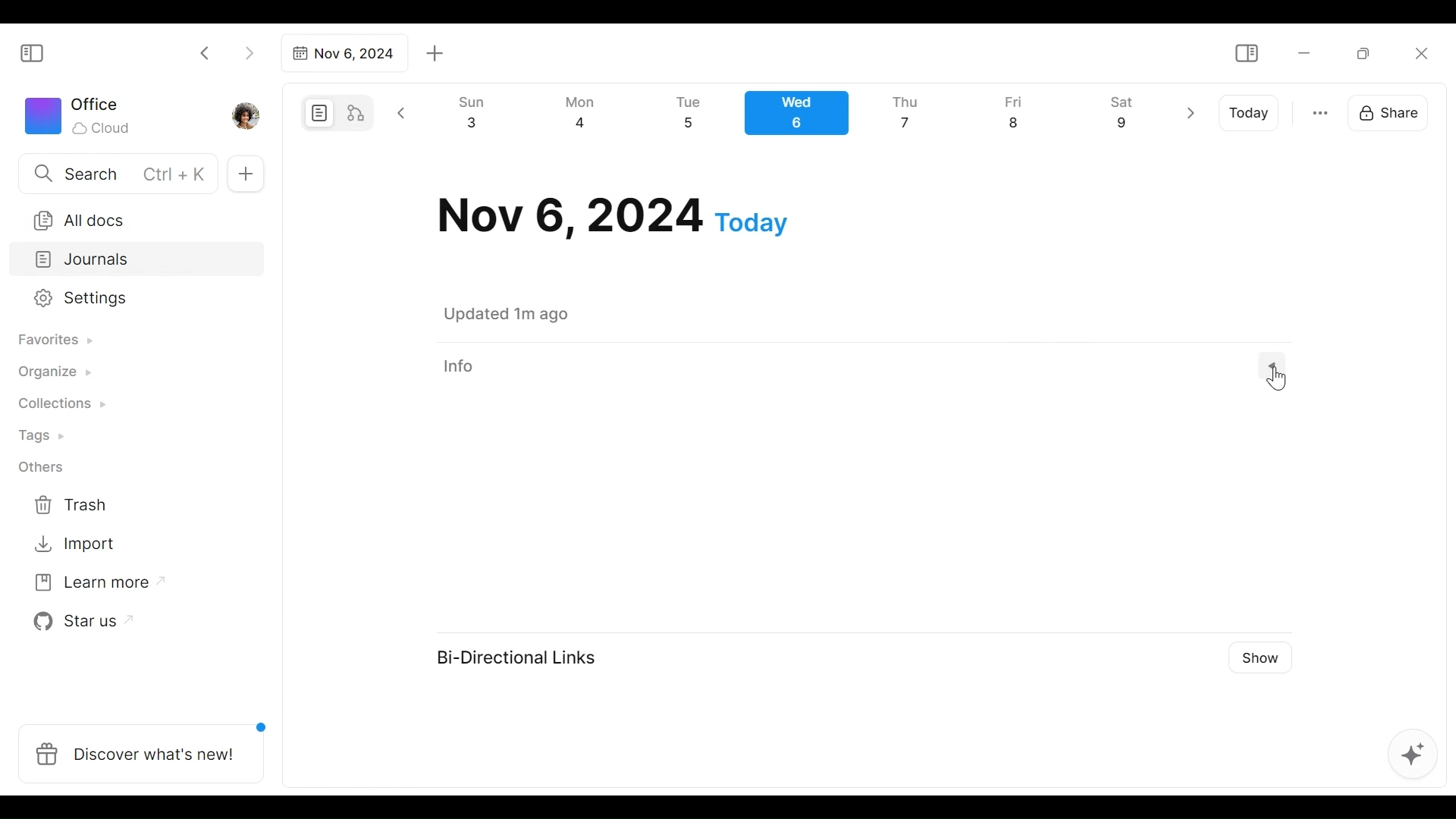 This screenshot has width=1456, height=819. I want to click on Collections, so click(60, 406).